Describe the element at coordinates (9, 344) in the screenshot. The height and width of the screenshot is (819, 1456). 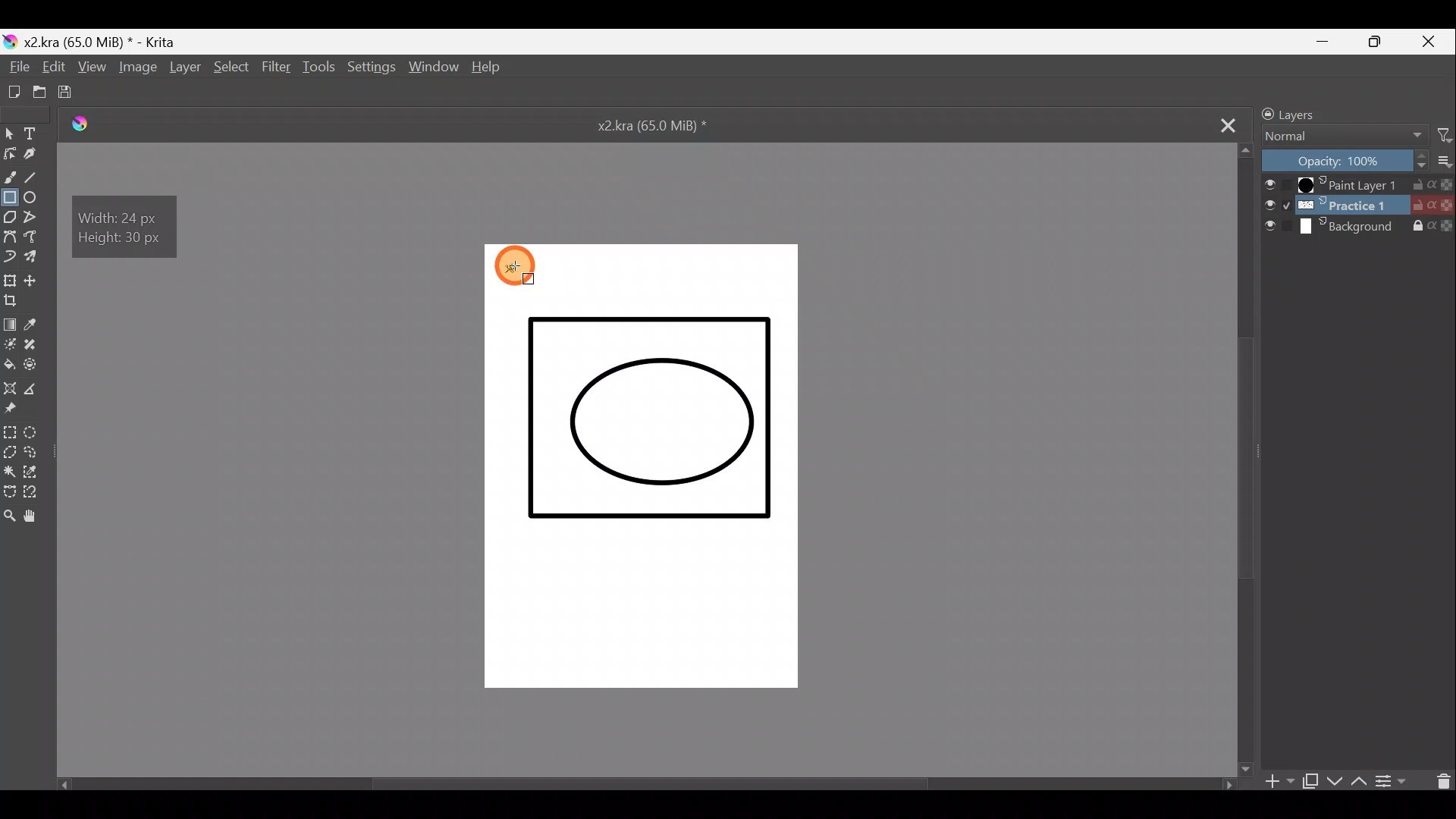
I see `Colourise mask tool` at that location.